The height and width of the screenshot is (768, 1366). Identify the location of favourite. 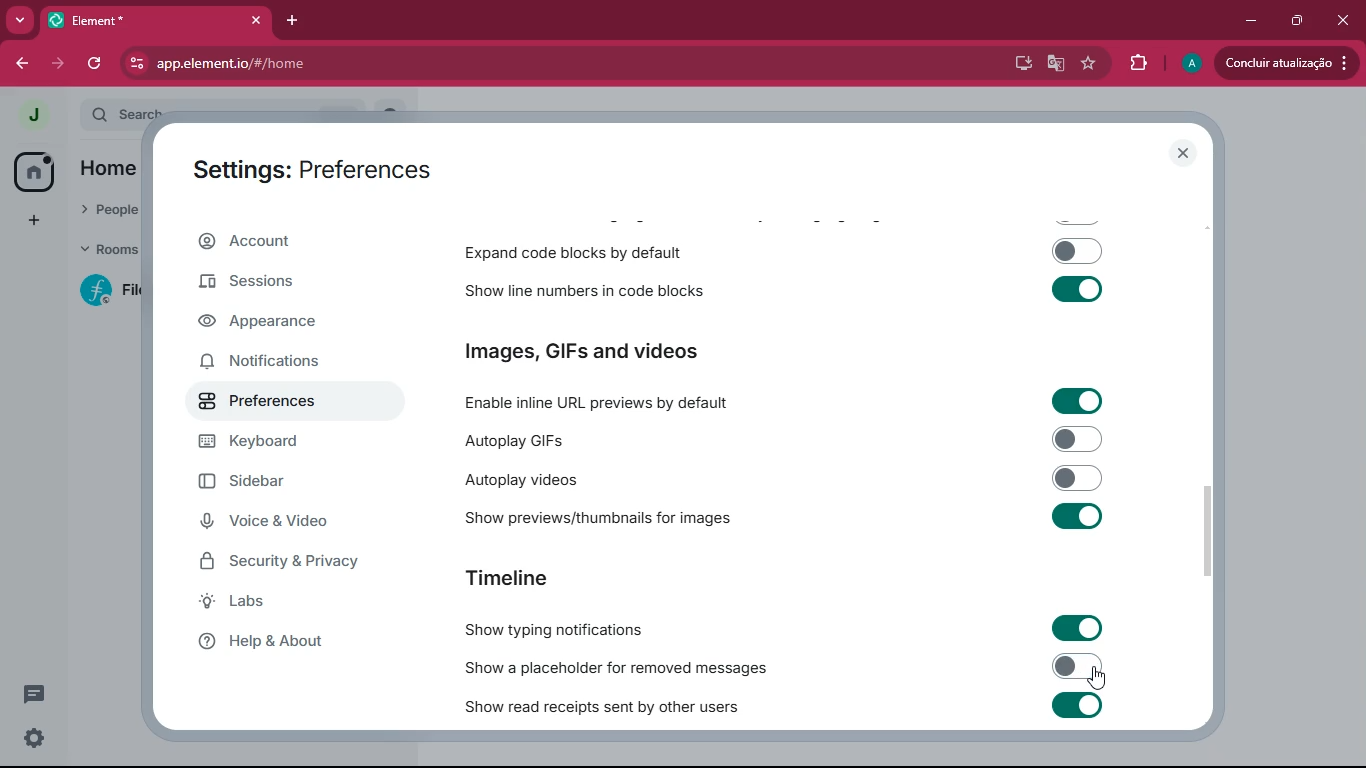
(1093, 64).